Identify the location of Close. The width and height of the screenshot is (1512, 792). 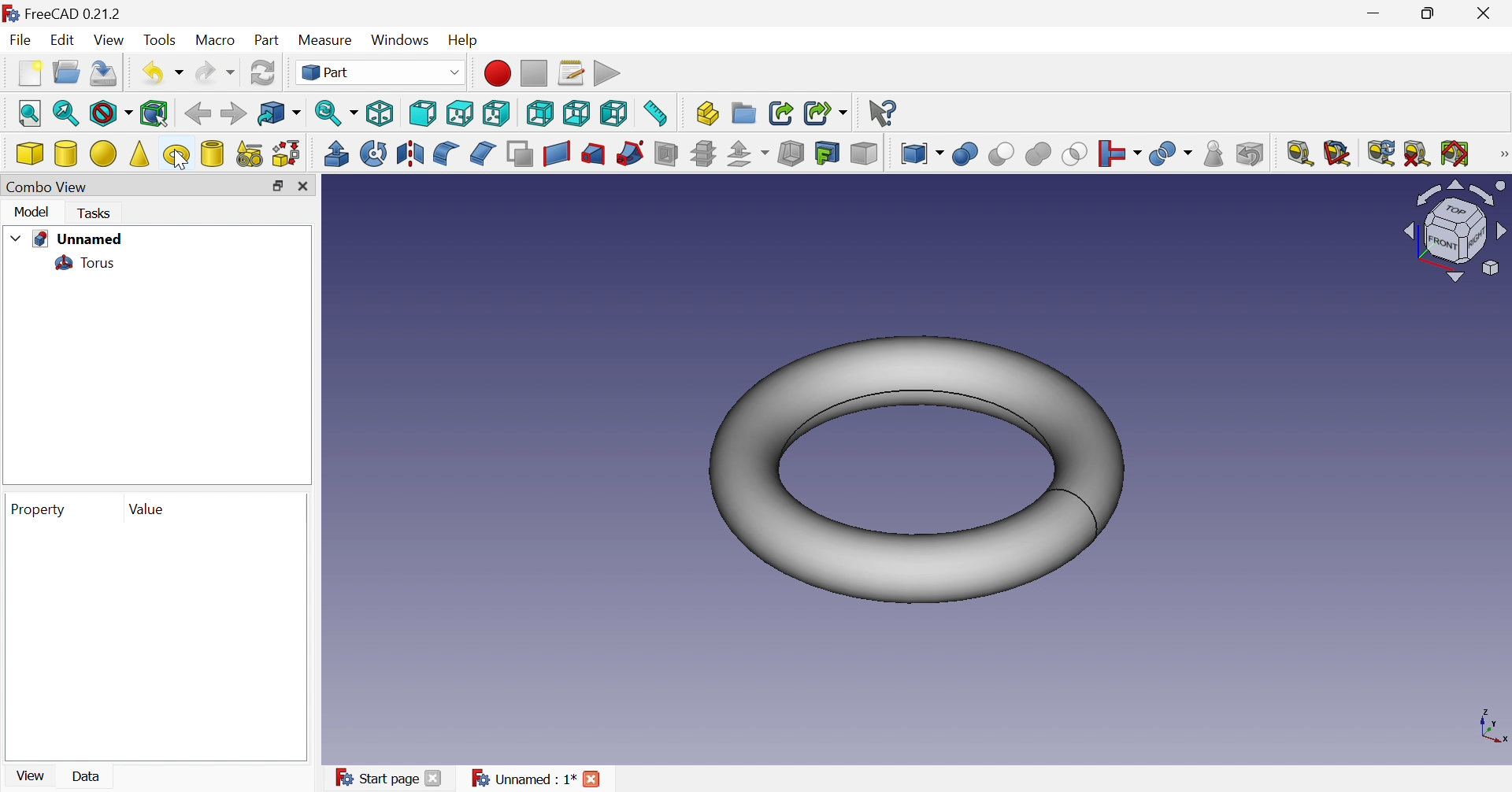
(1489, 13).